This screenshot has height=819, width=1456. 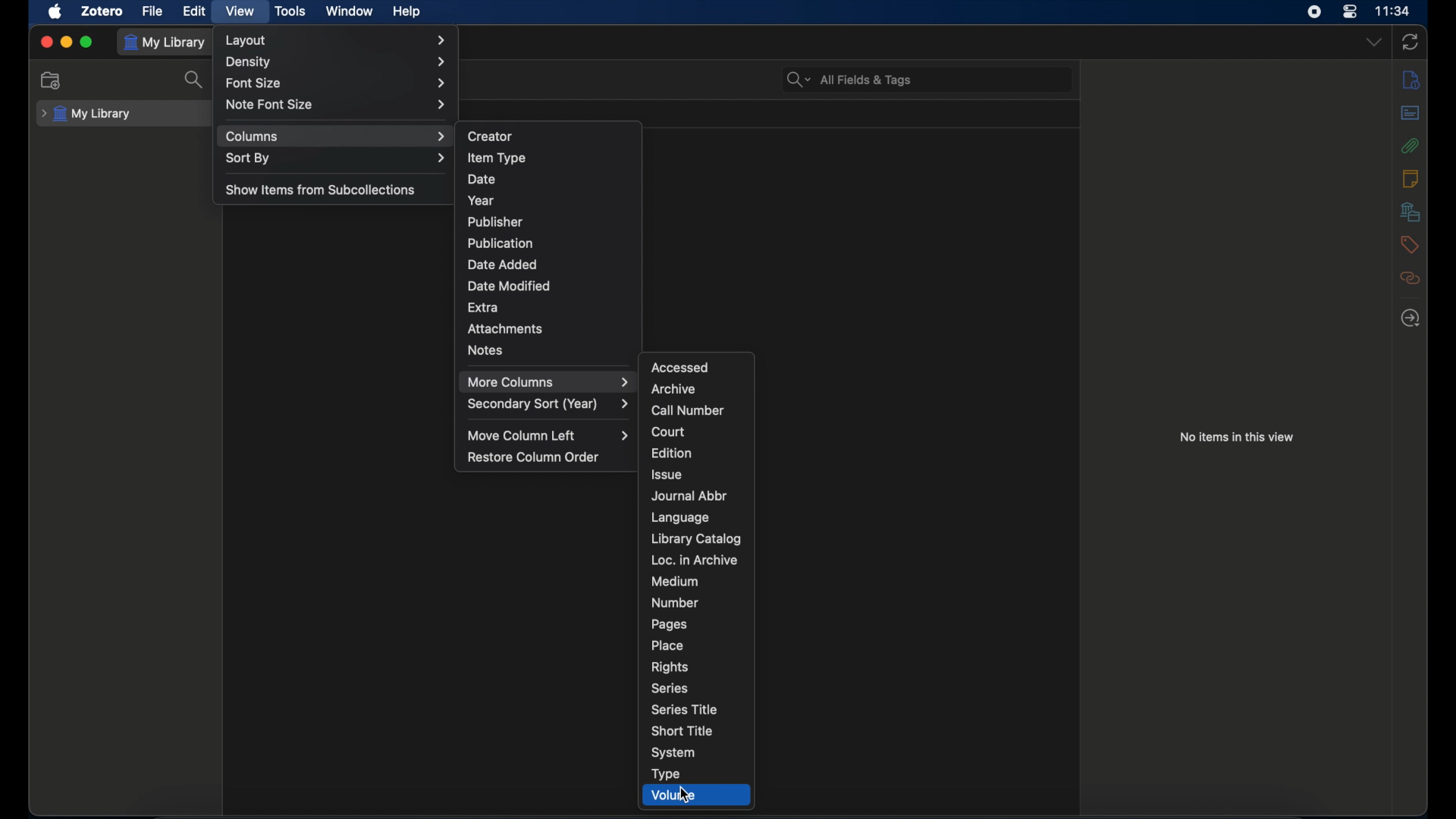 I want to click on note font size, so click(x=337, y=104).